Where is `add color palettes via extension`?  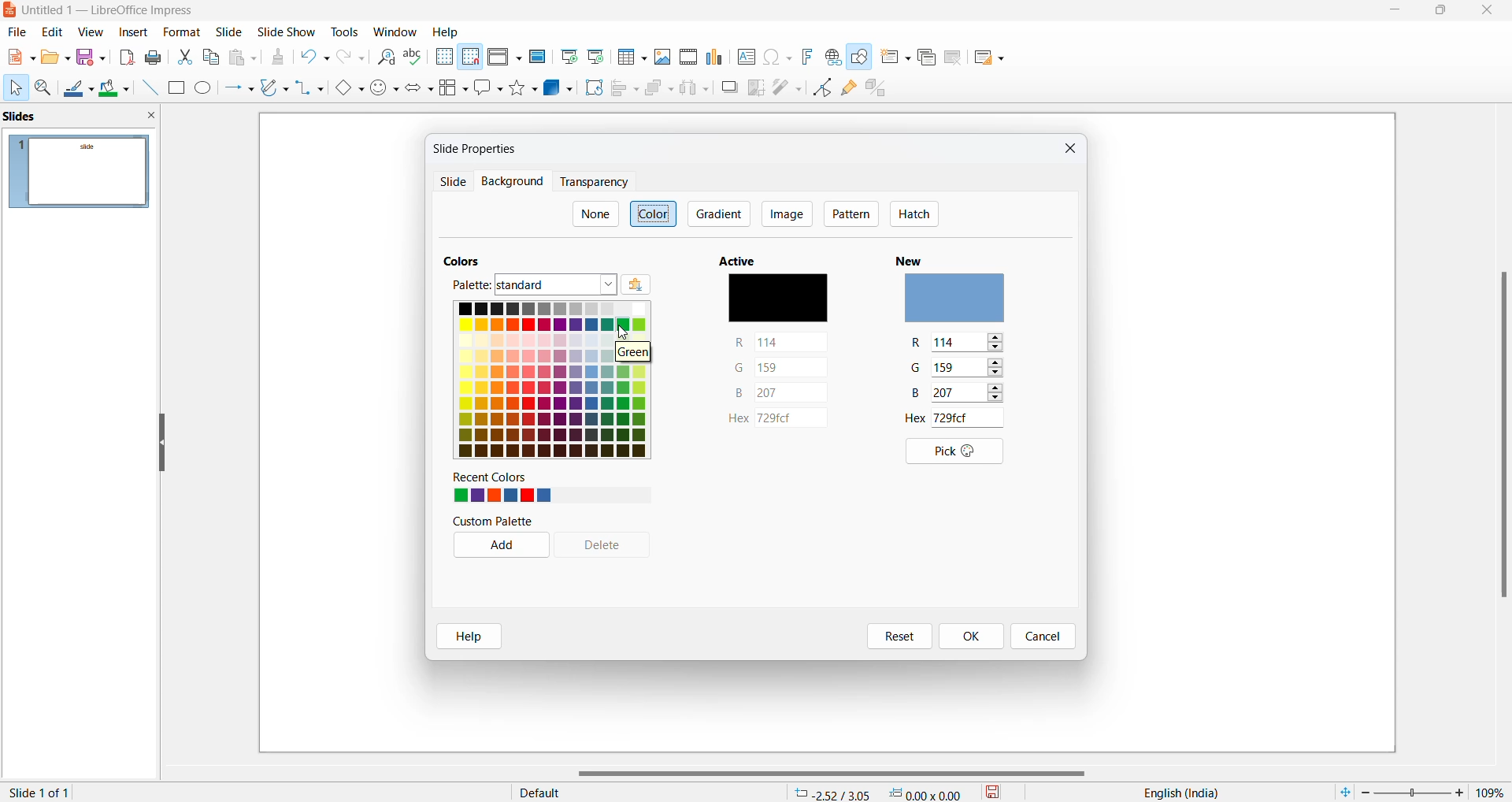
add color palettes via extension is located at coordinates (658, 285).